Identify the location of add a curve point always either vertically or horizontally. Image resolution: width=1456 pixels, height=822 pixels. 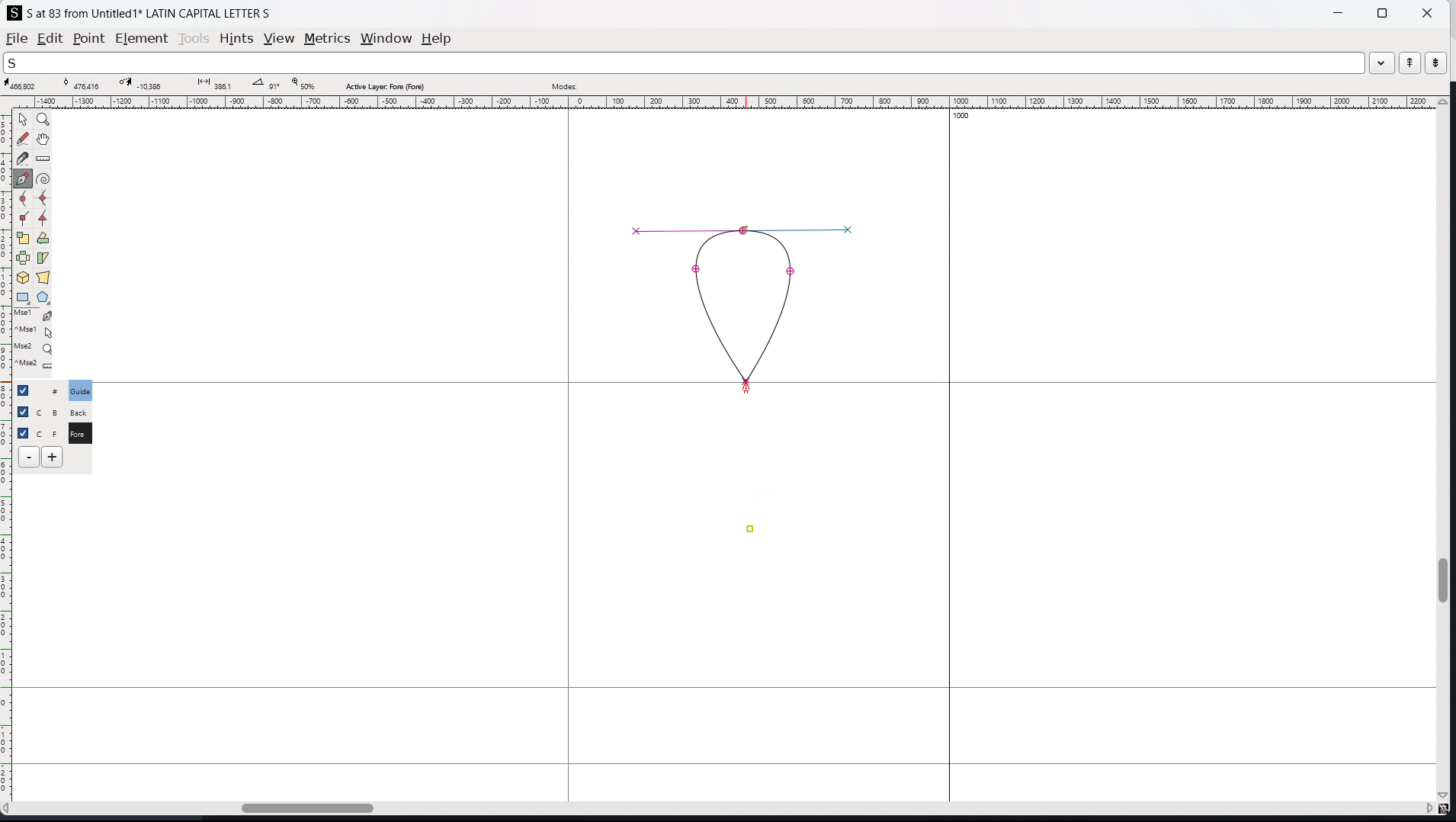
(44, 199).